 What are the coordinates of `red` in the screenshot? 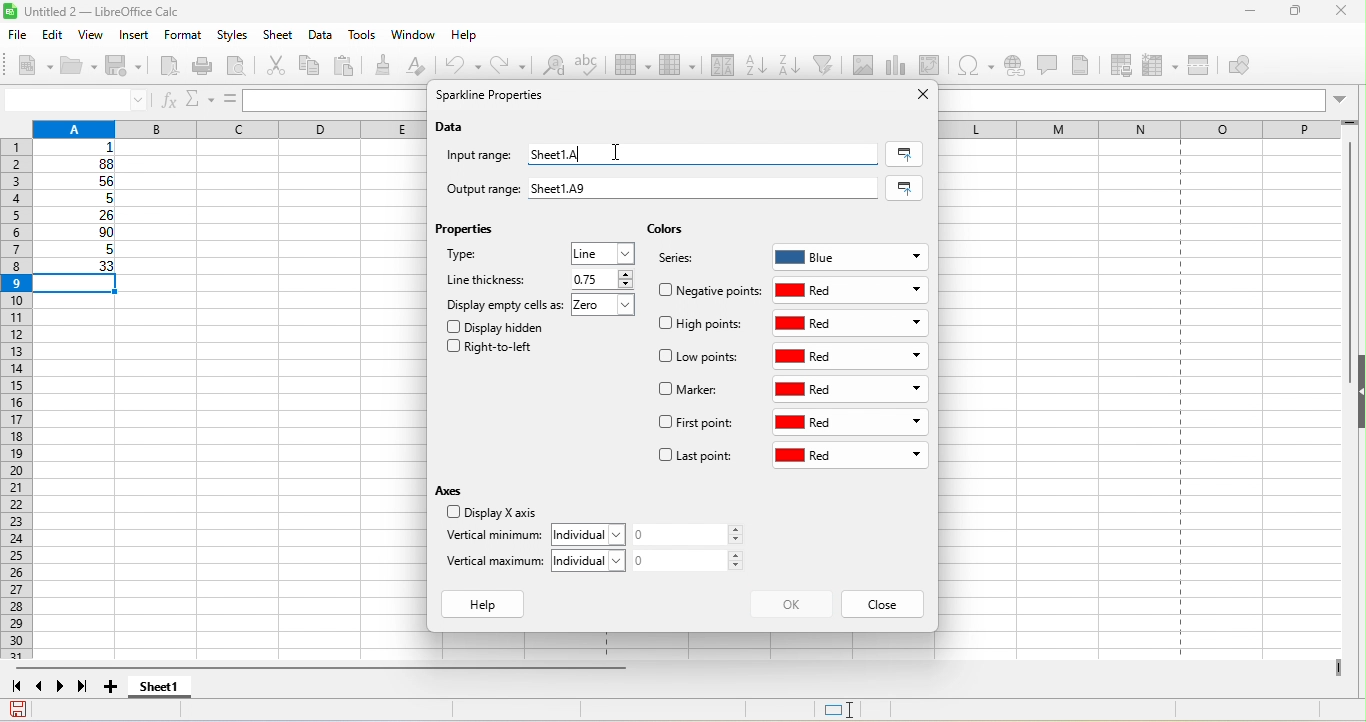 It's located at (853, 357).